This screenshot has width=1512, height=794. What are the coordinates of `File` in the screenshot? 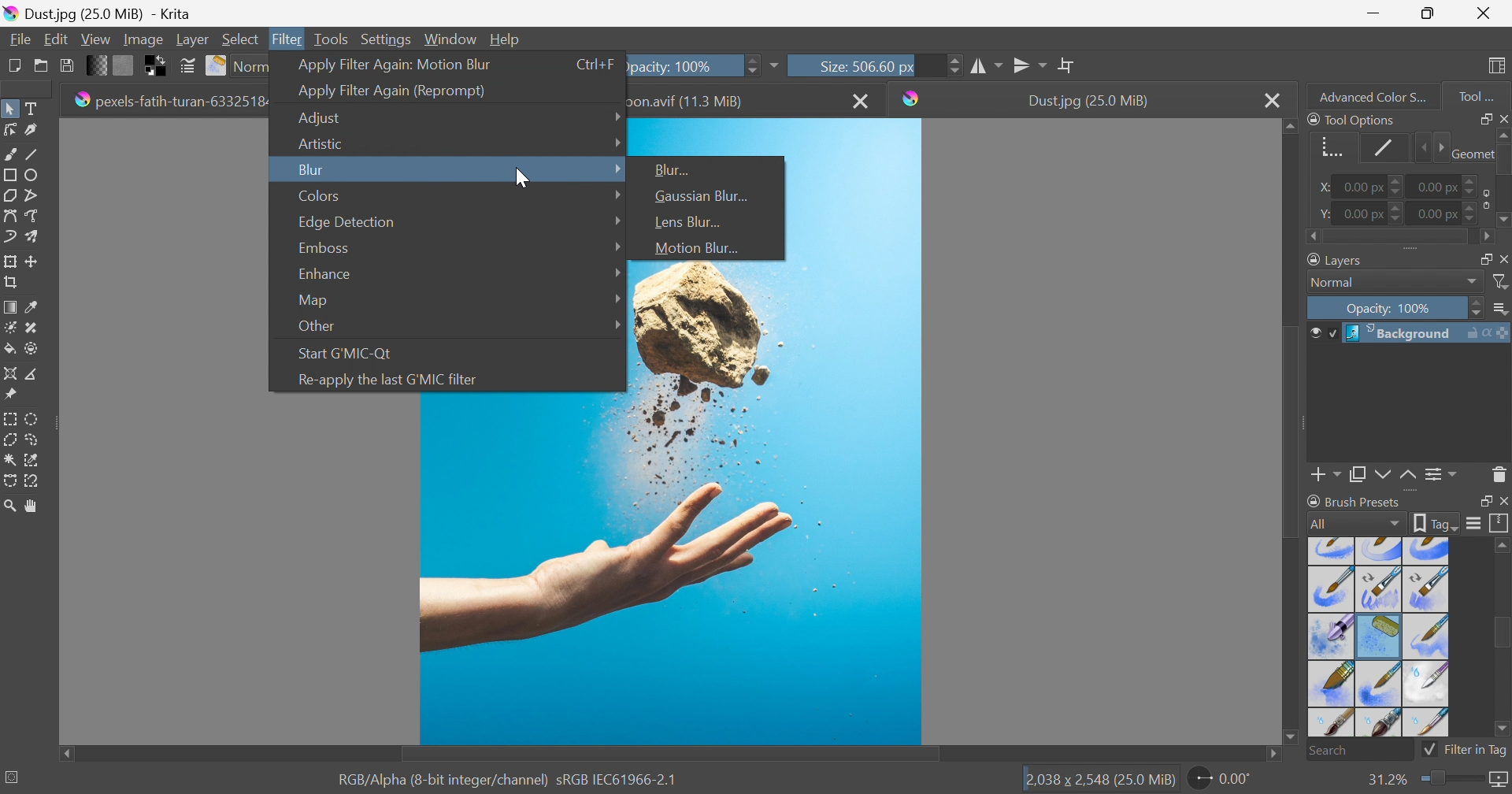 It's located at (19, 38).